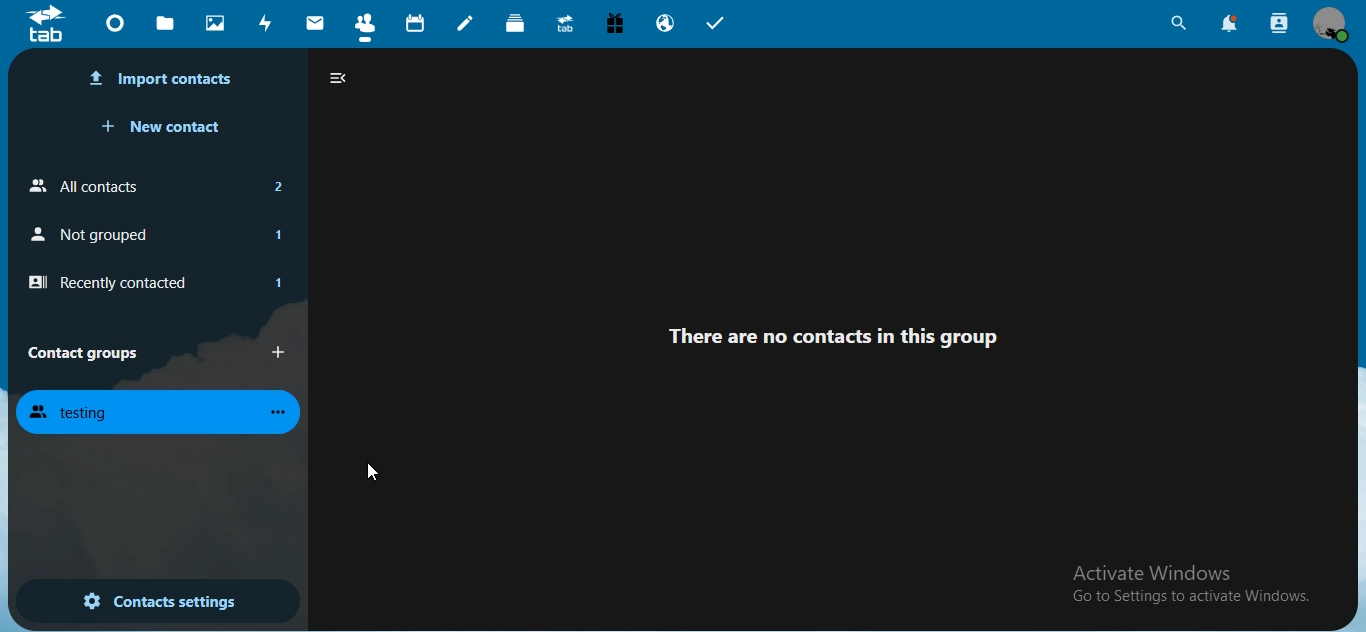 The image size is (1366, 632). What do you see at coordinates (164, 79) in the screenshot?
I see `import contacts` at bounding box center [164, 79].